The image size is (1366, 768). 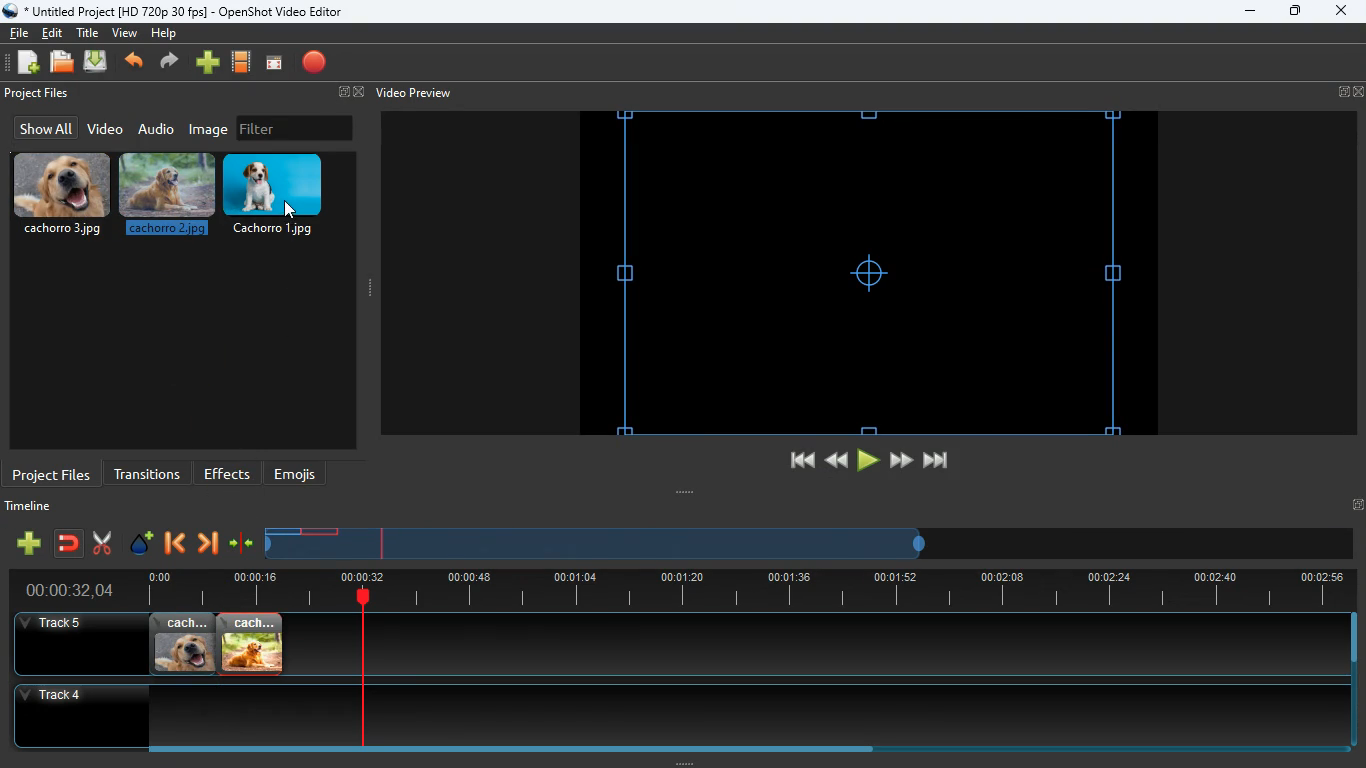 I want to click on cachorro.3.jpg, so click(x=183, y=644).